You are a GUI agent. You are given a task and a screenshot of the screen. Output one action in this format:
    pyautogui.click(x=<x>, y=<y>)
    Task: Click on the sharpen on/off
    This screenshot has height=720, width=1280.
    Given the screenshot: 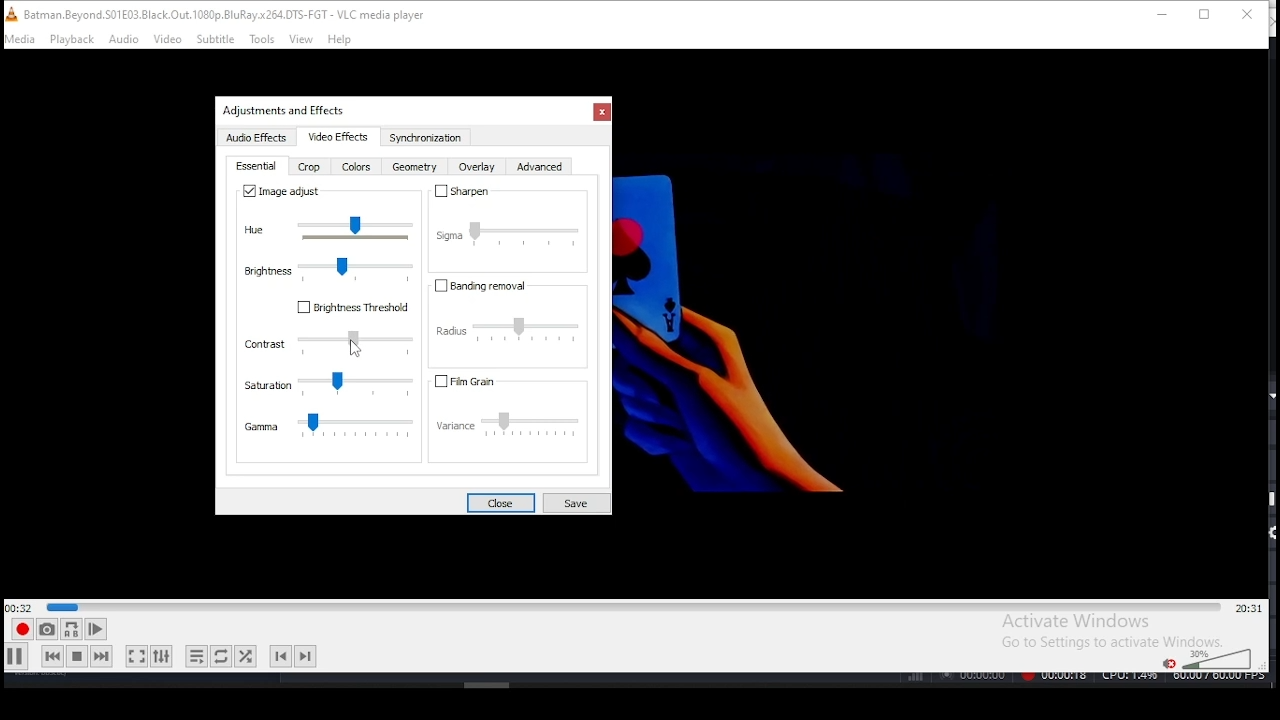 What is the action you would take?
    pyautogui.click(x=460, y=191)
    